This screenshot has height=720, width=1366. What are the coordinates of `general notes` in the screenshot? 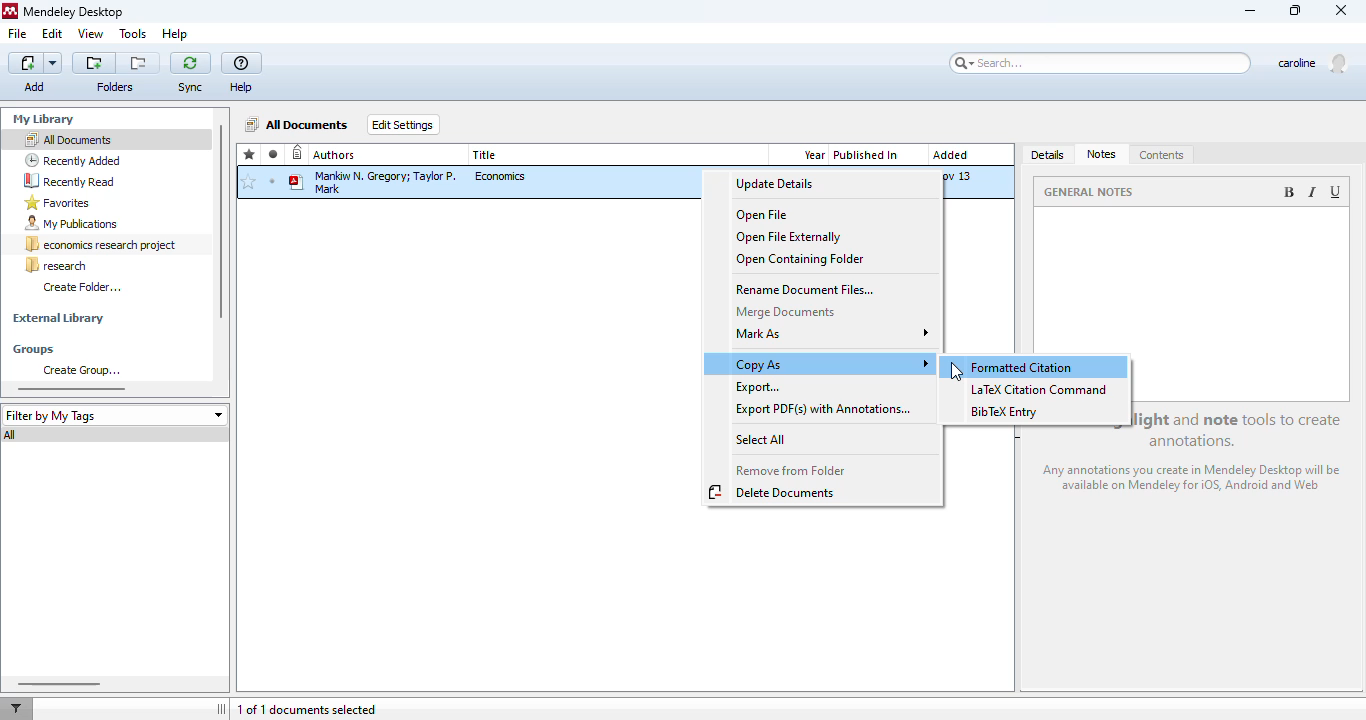 It's located at (1092, 191).